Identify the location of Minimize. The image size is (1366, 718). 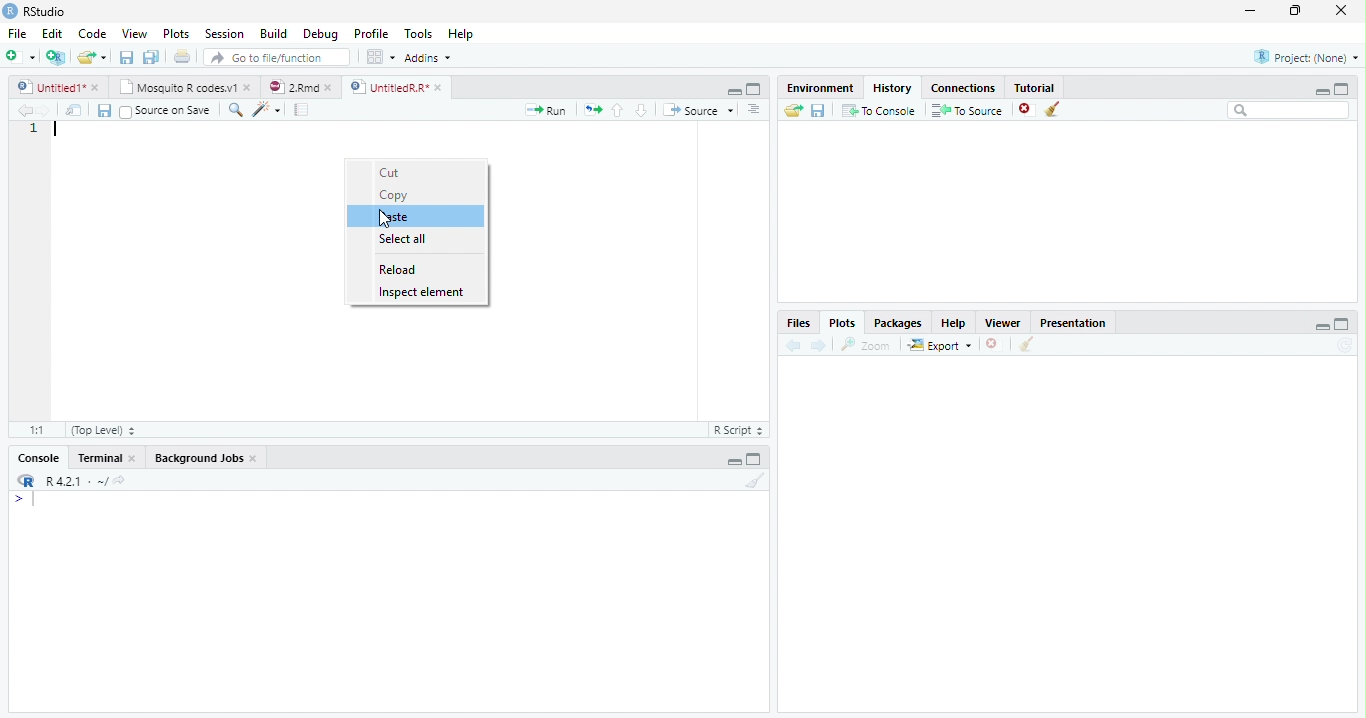
(731, 460).